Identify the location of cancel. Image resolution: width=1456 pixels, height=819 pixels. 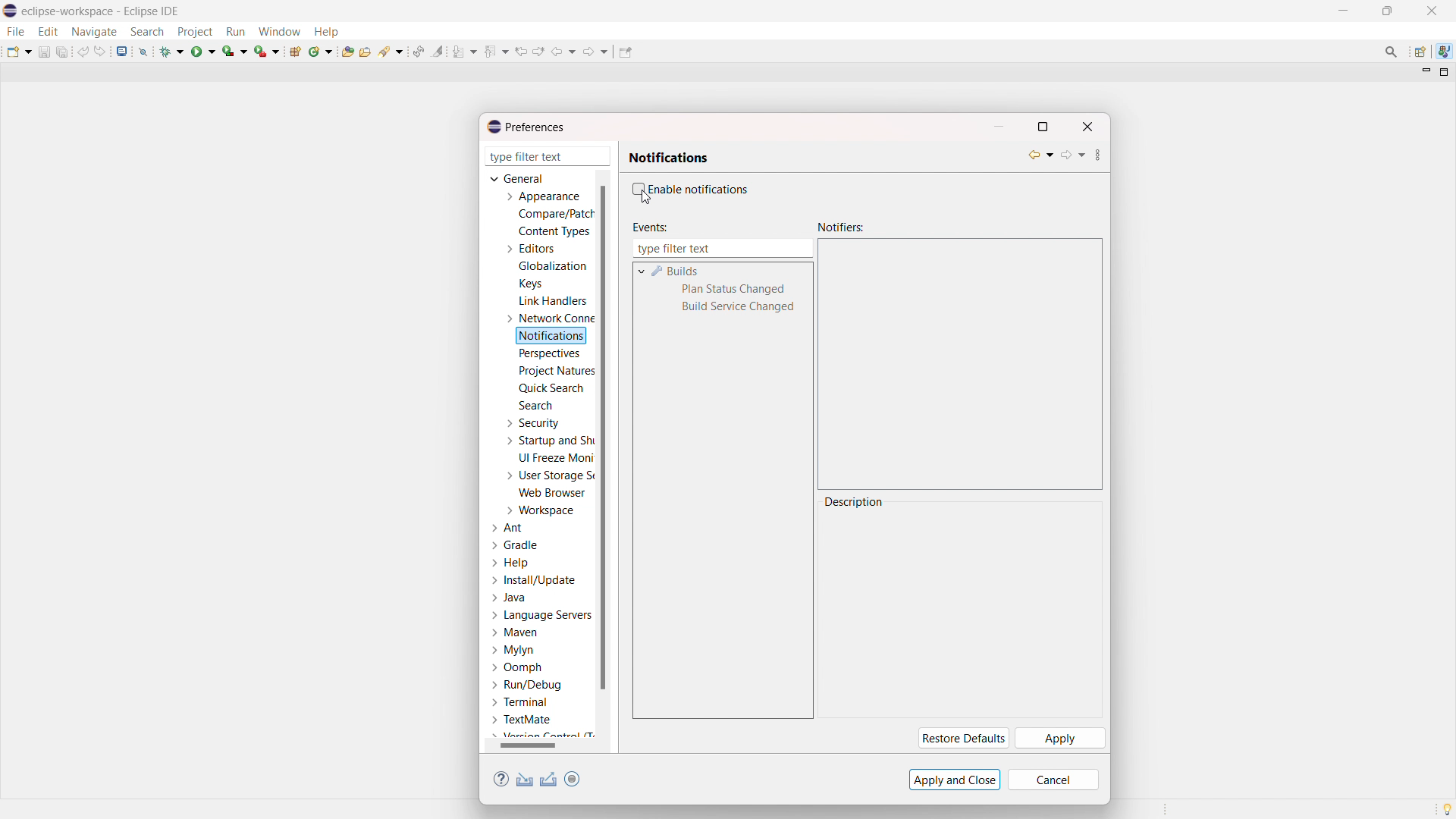
(1053, 780).